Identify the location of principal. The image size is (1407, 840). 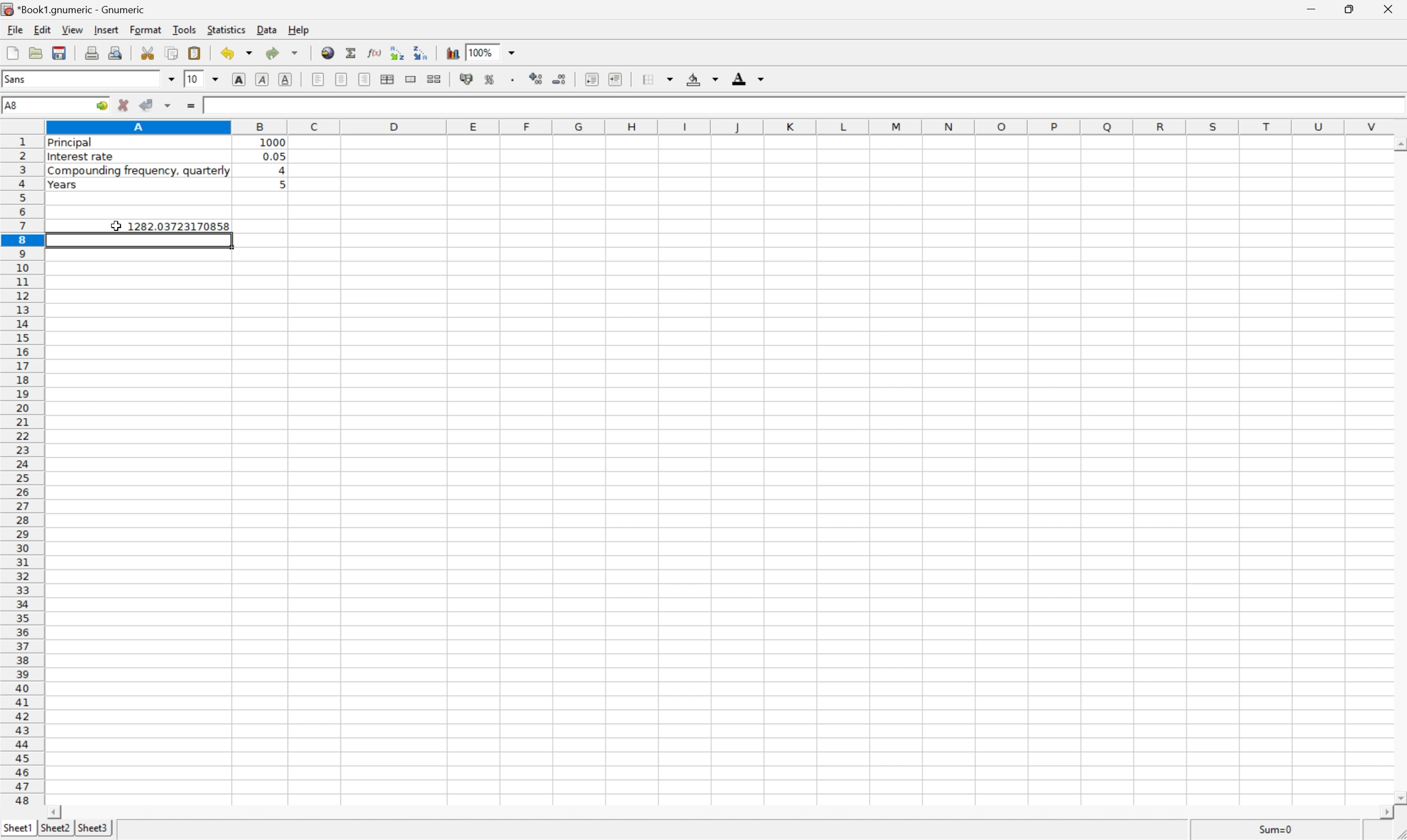
(74, 144).